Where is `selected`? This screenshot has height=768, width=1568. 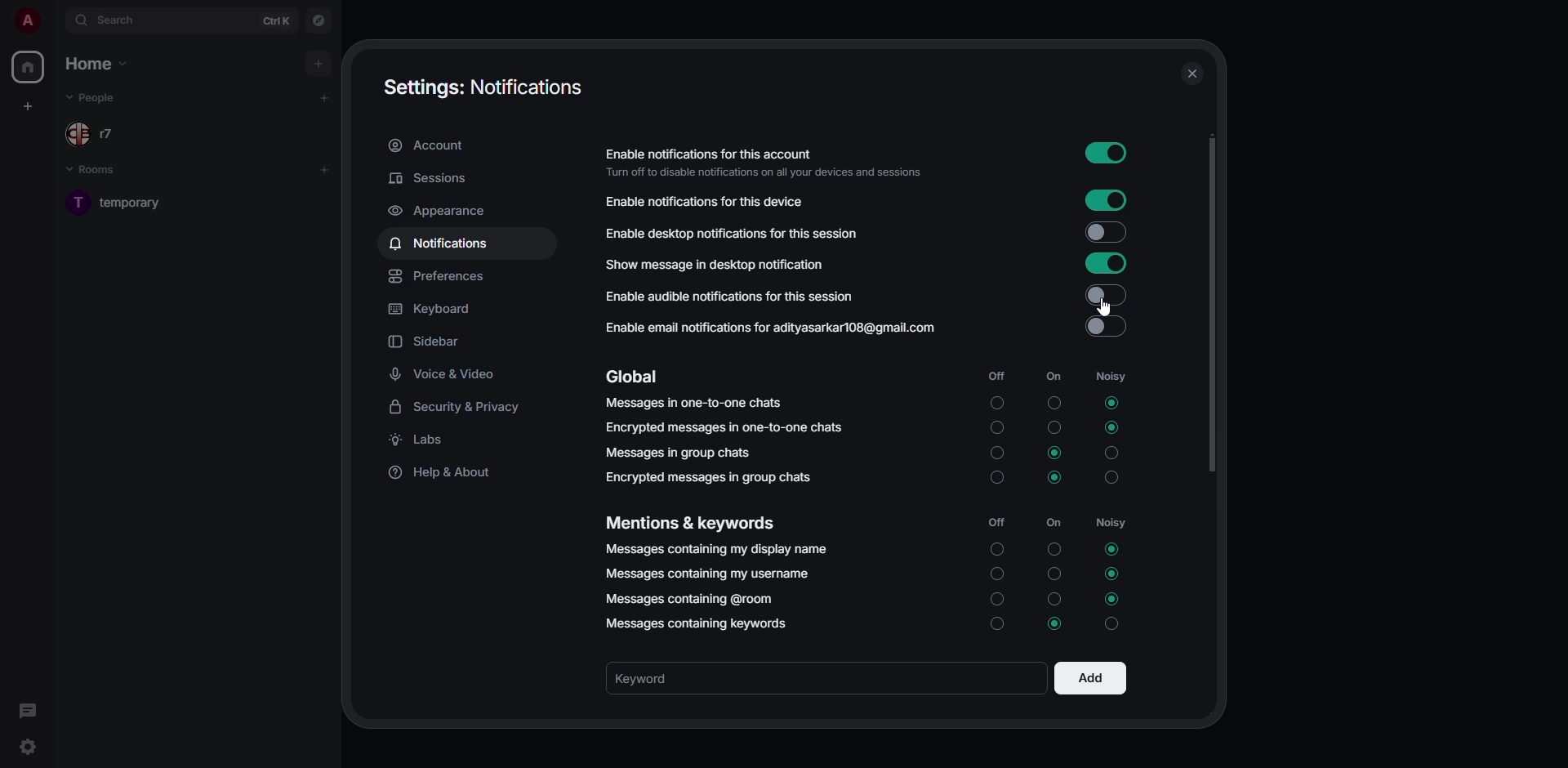 selected is located at coordinates (1055, 476).